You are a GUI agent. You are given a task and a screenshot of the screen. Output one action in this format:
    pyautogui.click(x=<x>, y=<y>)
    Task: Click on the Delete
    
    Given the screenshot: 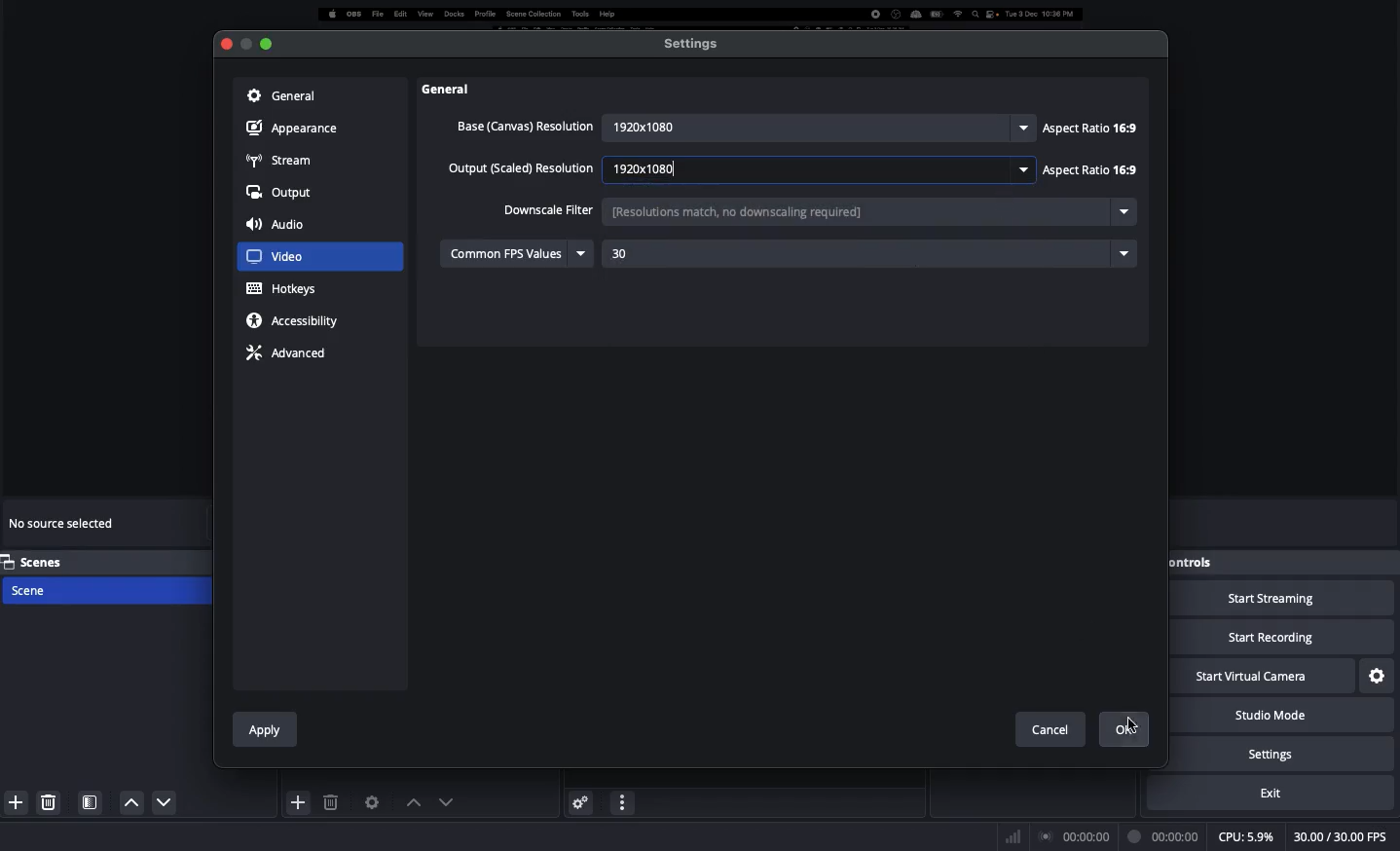 What is the action you would take?
    pyautogui.click(x=51, y=801)
    